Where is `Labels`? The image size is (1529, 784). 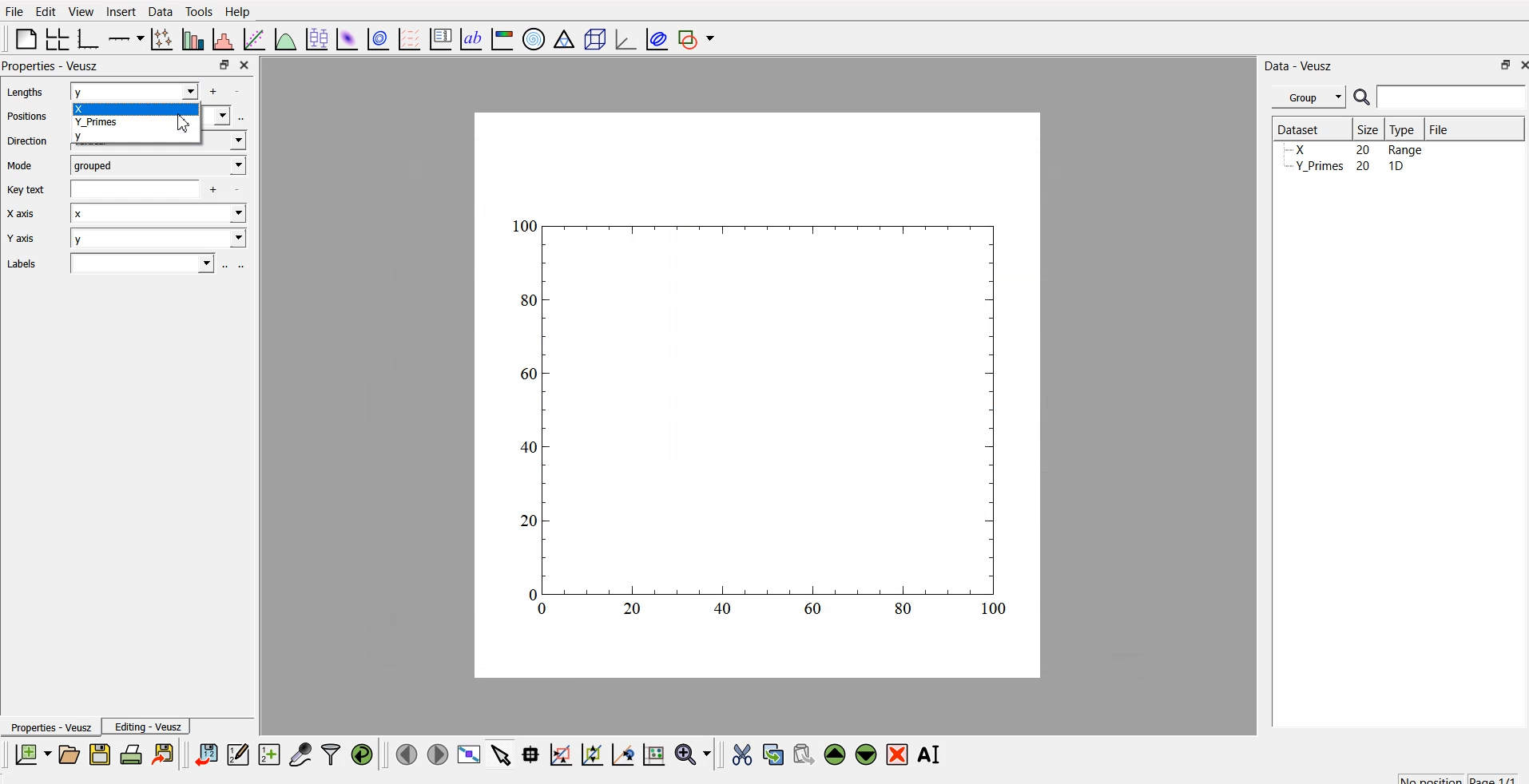 Labels is located at coordinates (121, 263).